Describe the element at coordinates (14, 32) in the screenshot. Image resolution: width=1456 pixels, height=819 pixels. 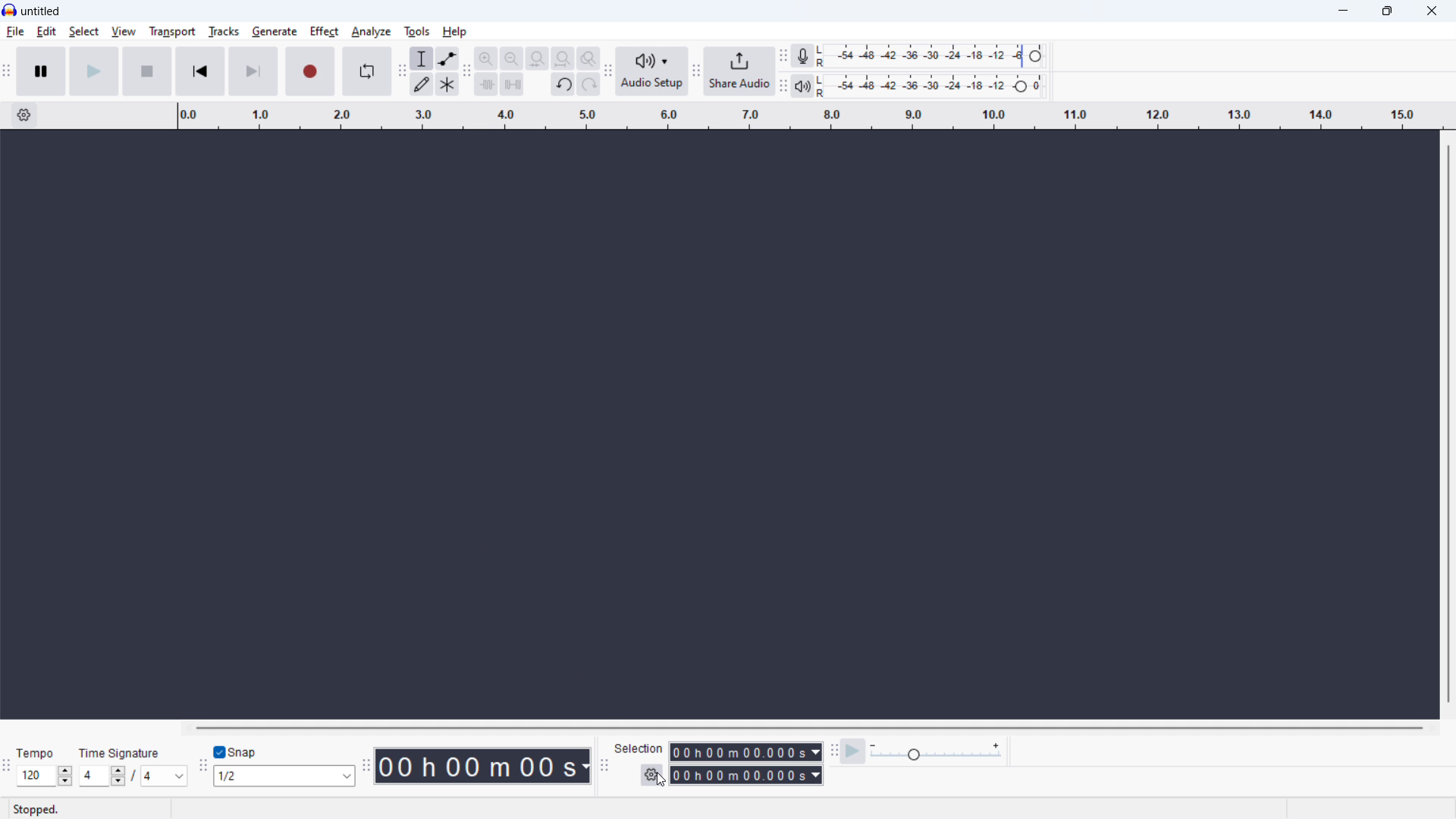
I see `file` at that location.